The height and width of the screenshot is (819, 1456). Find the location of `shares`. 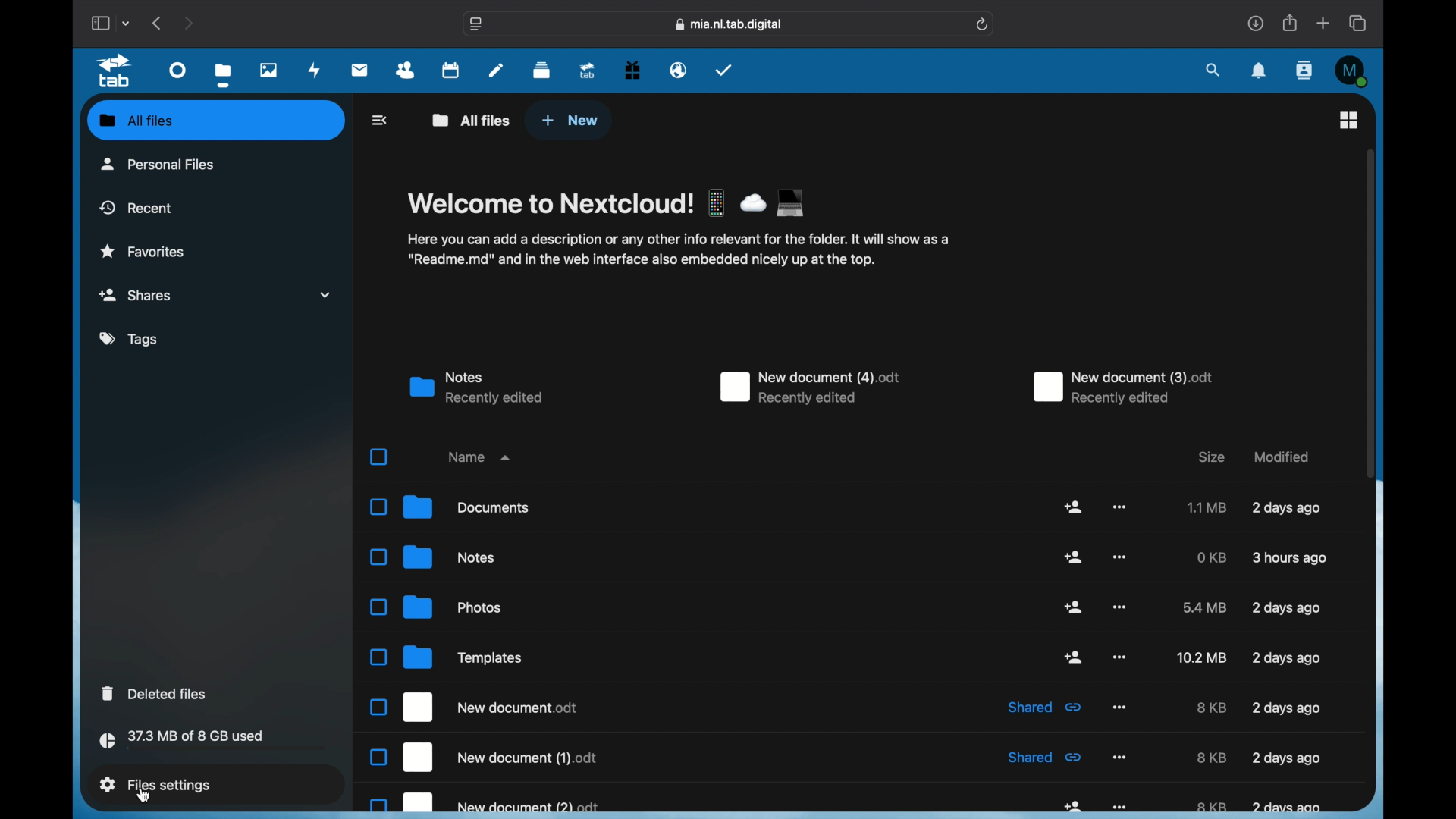

shares is located at coordinates (217, 294).